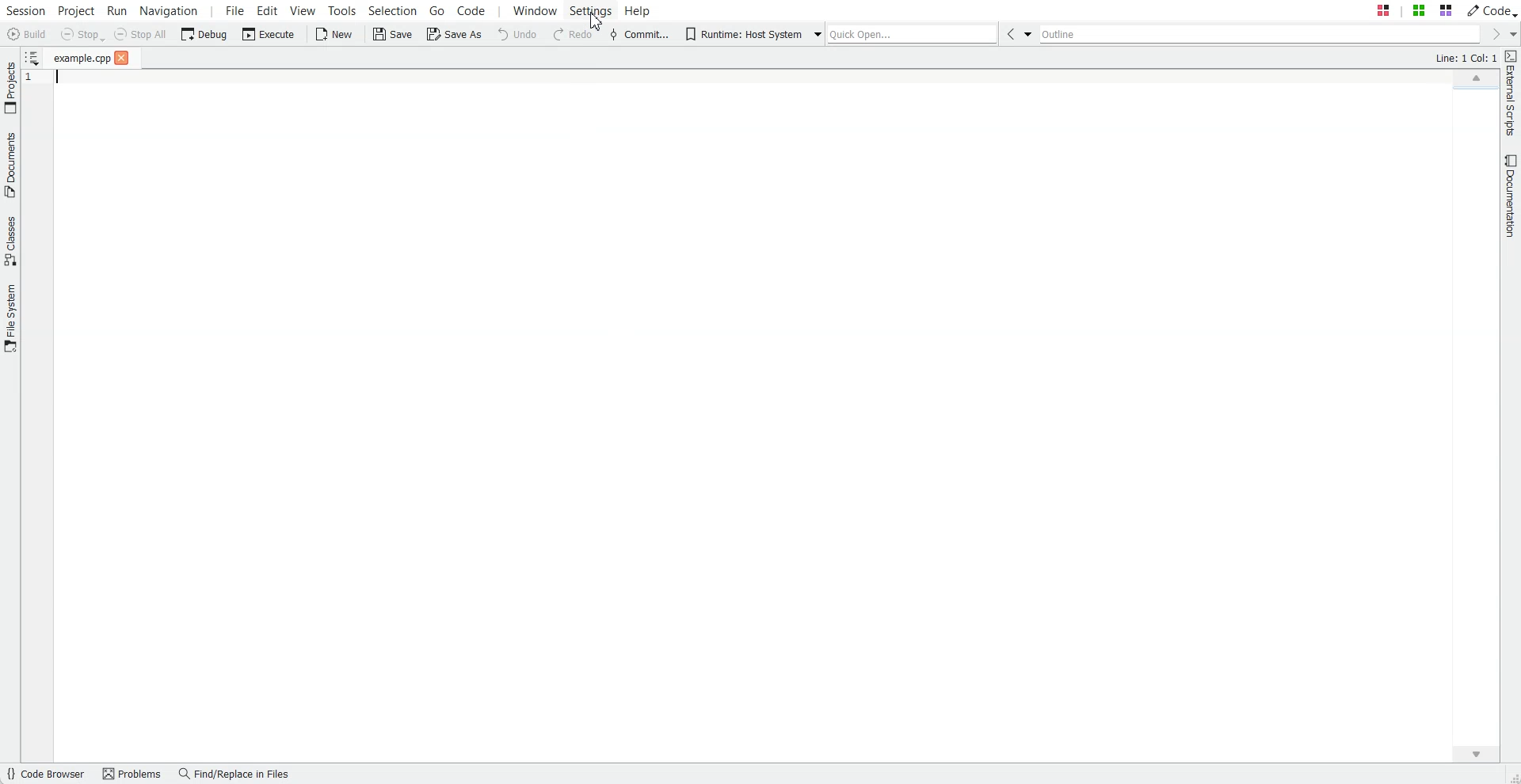  What do you see at coordinates (10, 318) in the screenshot?
I see `File System` at bounding box center [10, 318].